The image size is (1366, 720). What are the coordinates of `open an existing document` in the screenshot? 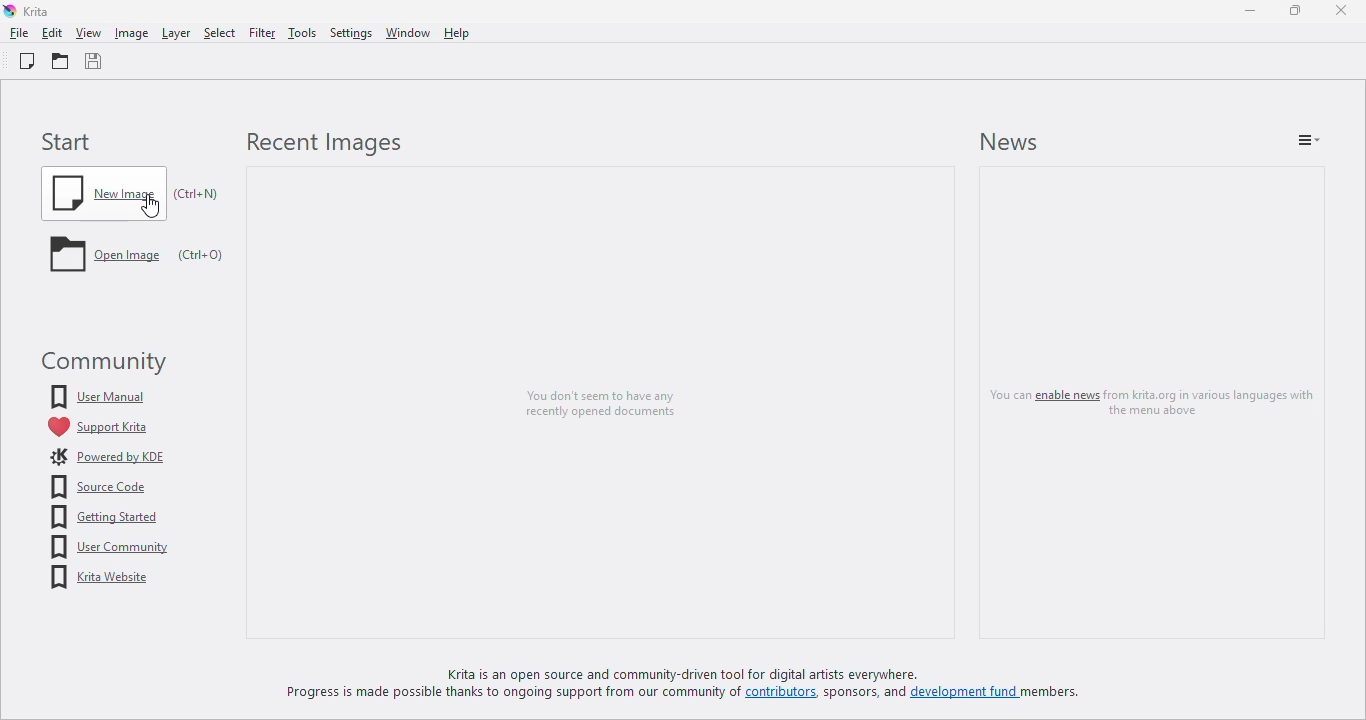 It's located at (60, 61).